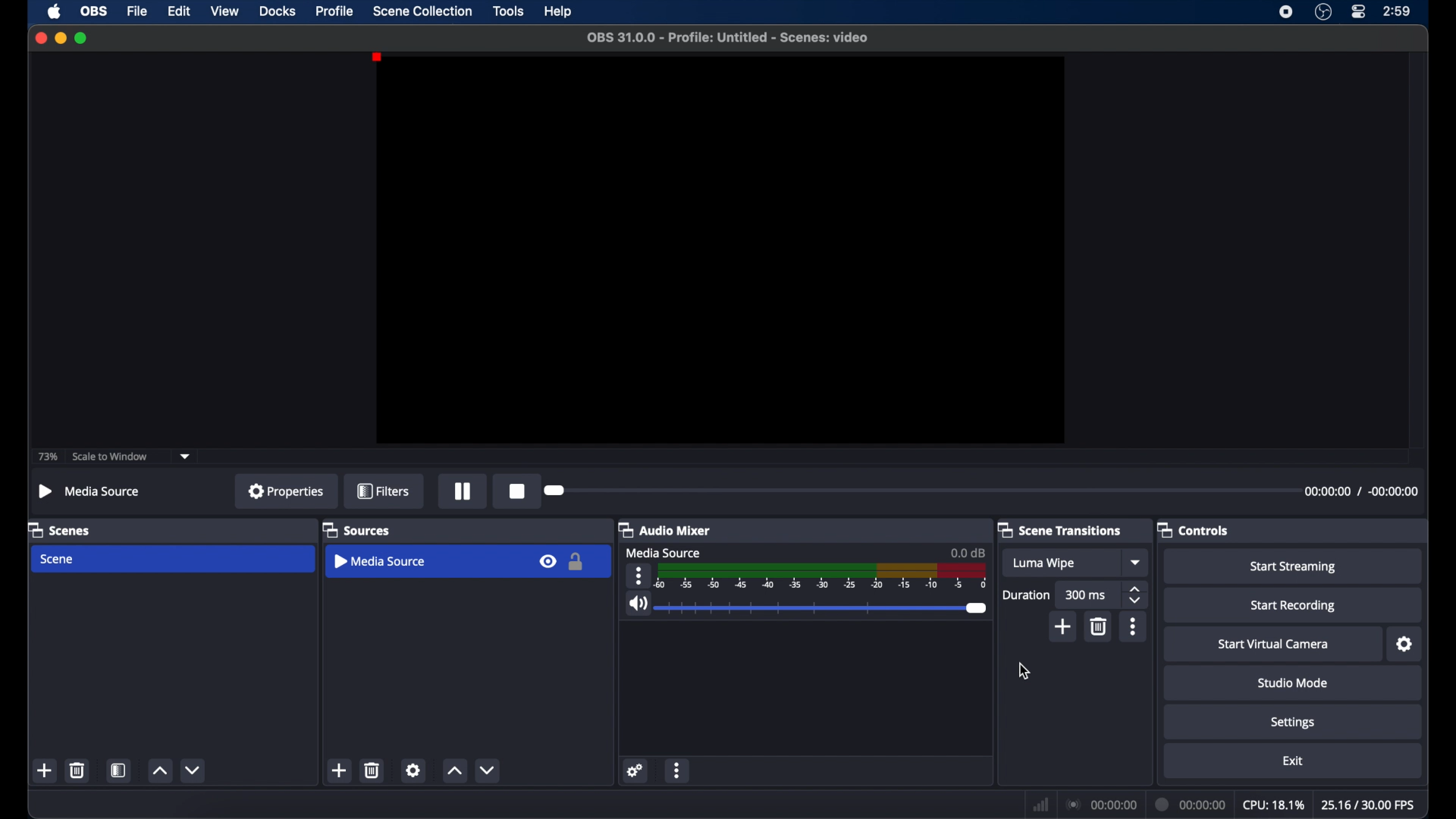 Image resolution: width=1456 pixels, height=819 pixels. Describe the element at coordinates (138, 12) in the screenshot. I see `file` at that location.